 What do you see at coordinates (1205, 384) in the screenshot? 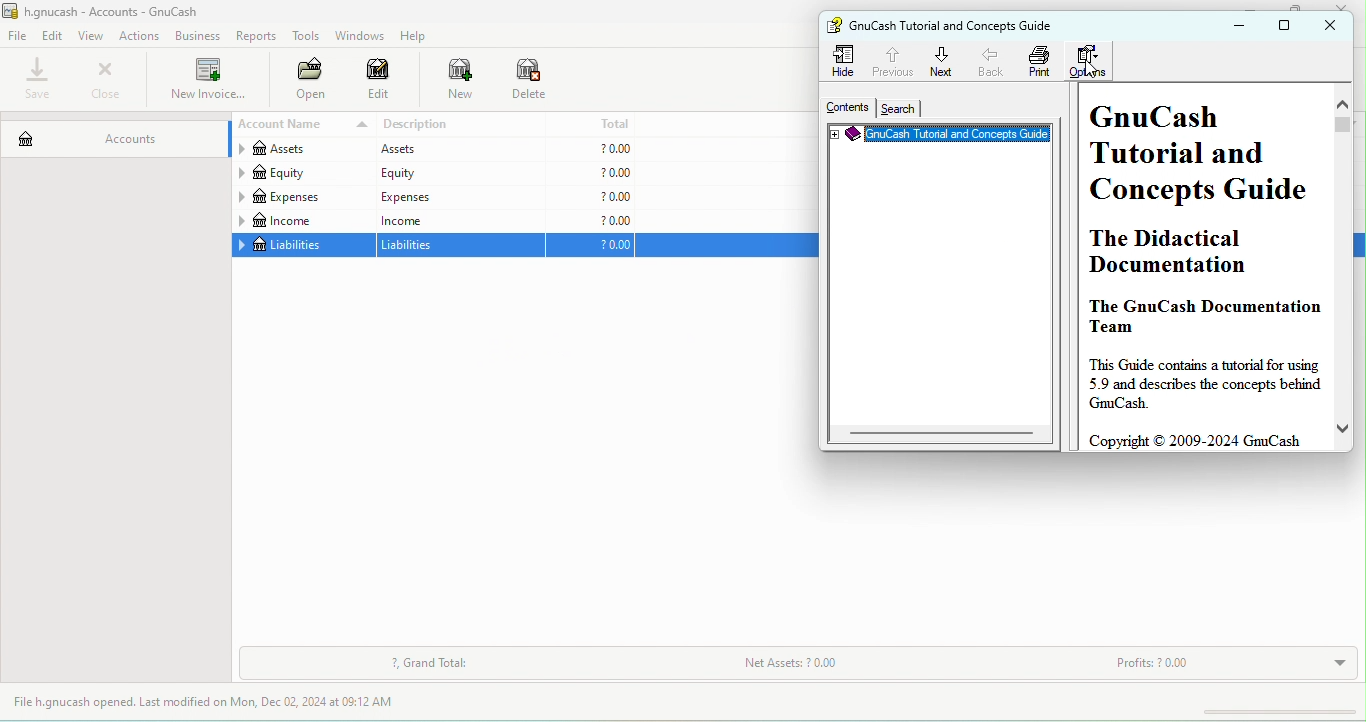
I see `this guide contains a tutorial for using 5.9 and describes the concepts behind gnucash` at bounding box center [1205, 384].